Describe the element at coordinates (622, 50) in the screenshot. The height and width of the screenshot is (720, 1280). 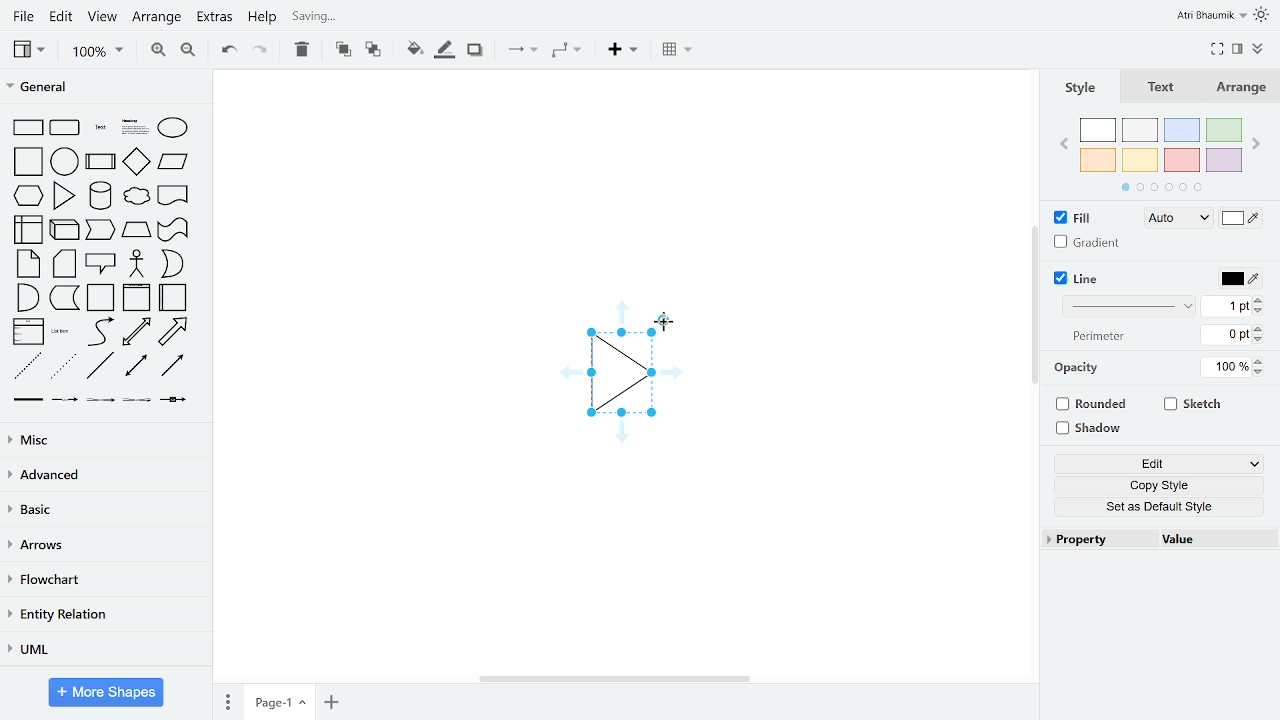
I see `insert` at that location.